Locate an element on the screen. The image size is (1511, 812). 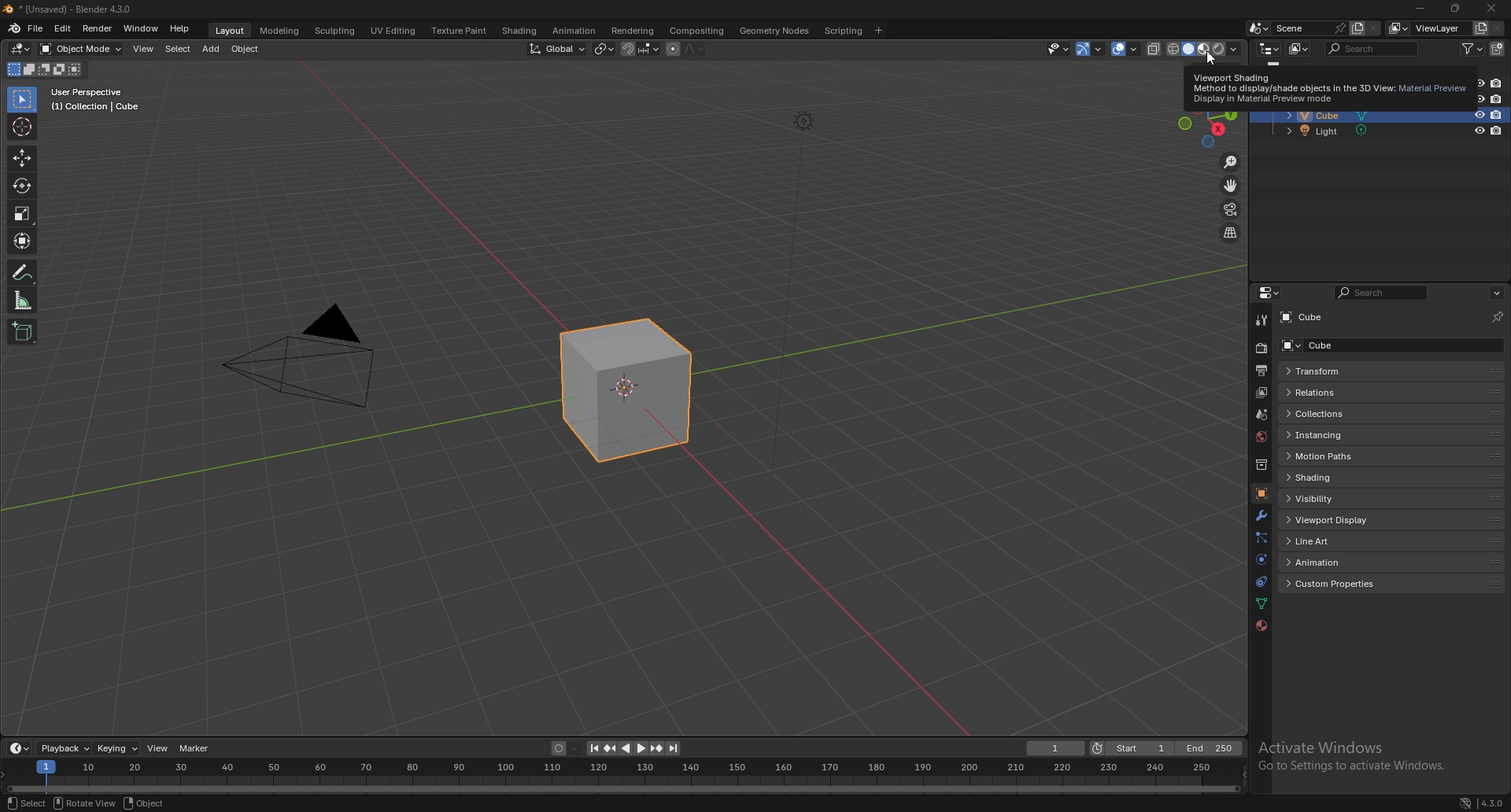
browse scene is located at coordinates (1259, 28).